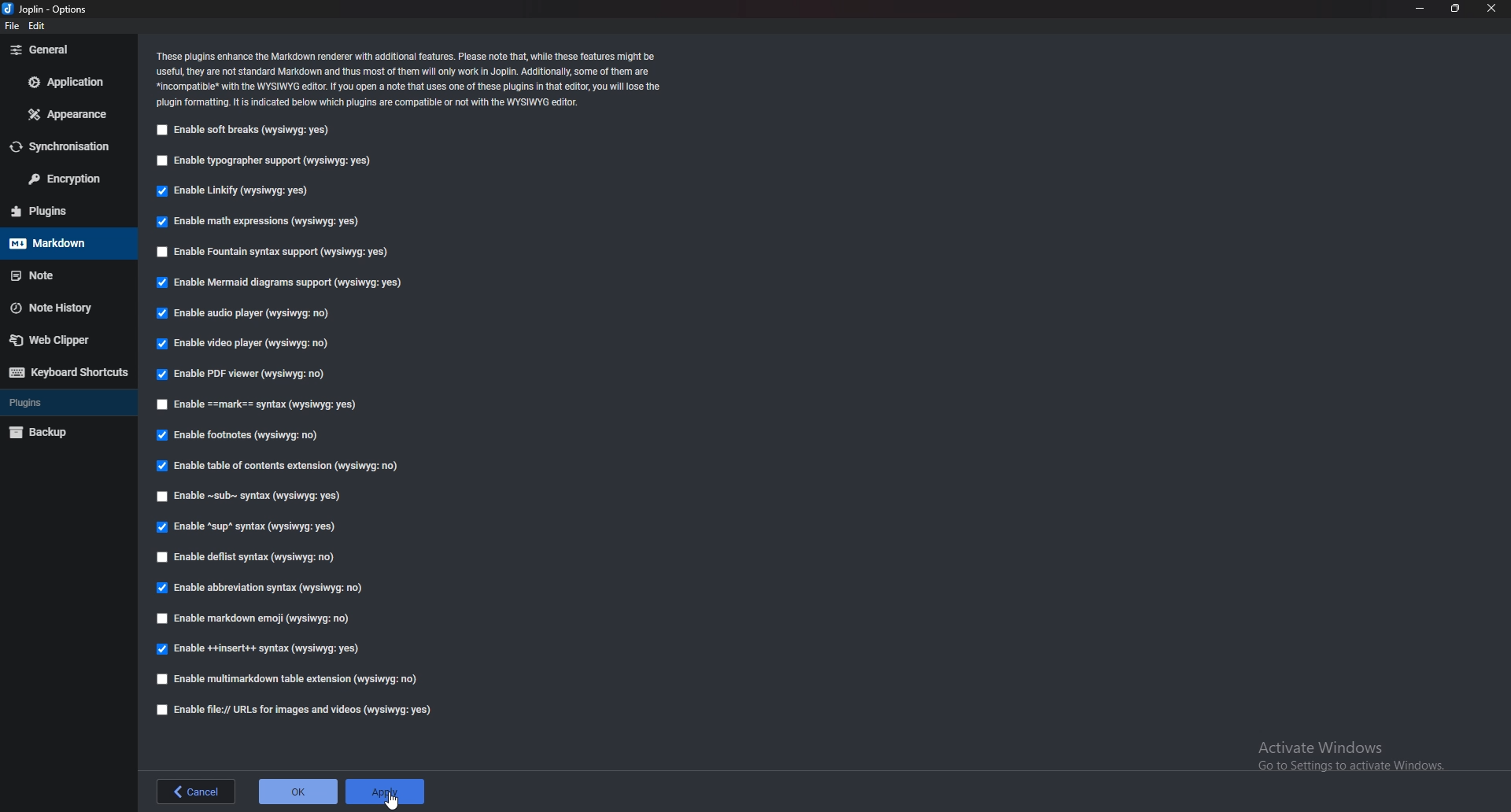 The image size is (1511, 812). Describe the element at coordinates (245, 344) in the screenshot. I see `enable video player` at that location.